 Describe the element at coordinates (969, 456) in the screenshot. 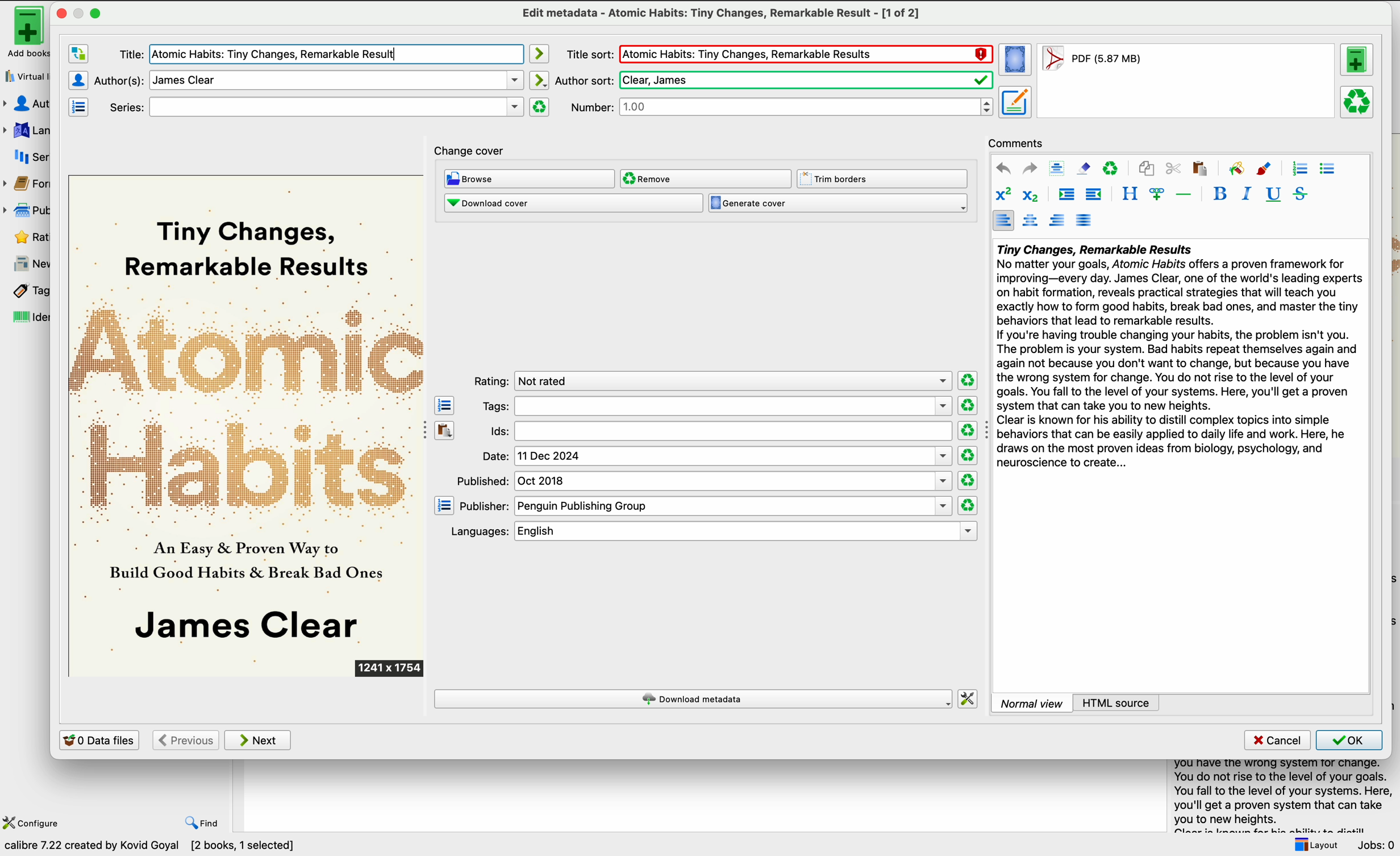

I see `clear rating` at that location.